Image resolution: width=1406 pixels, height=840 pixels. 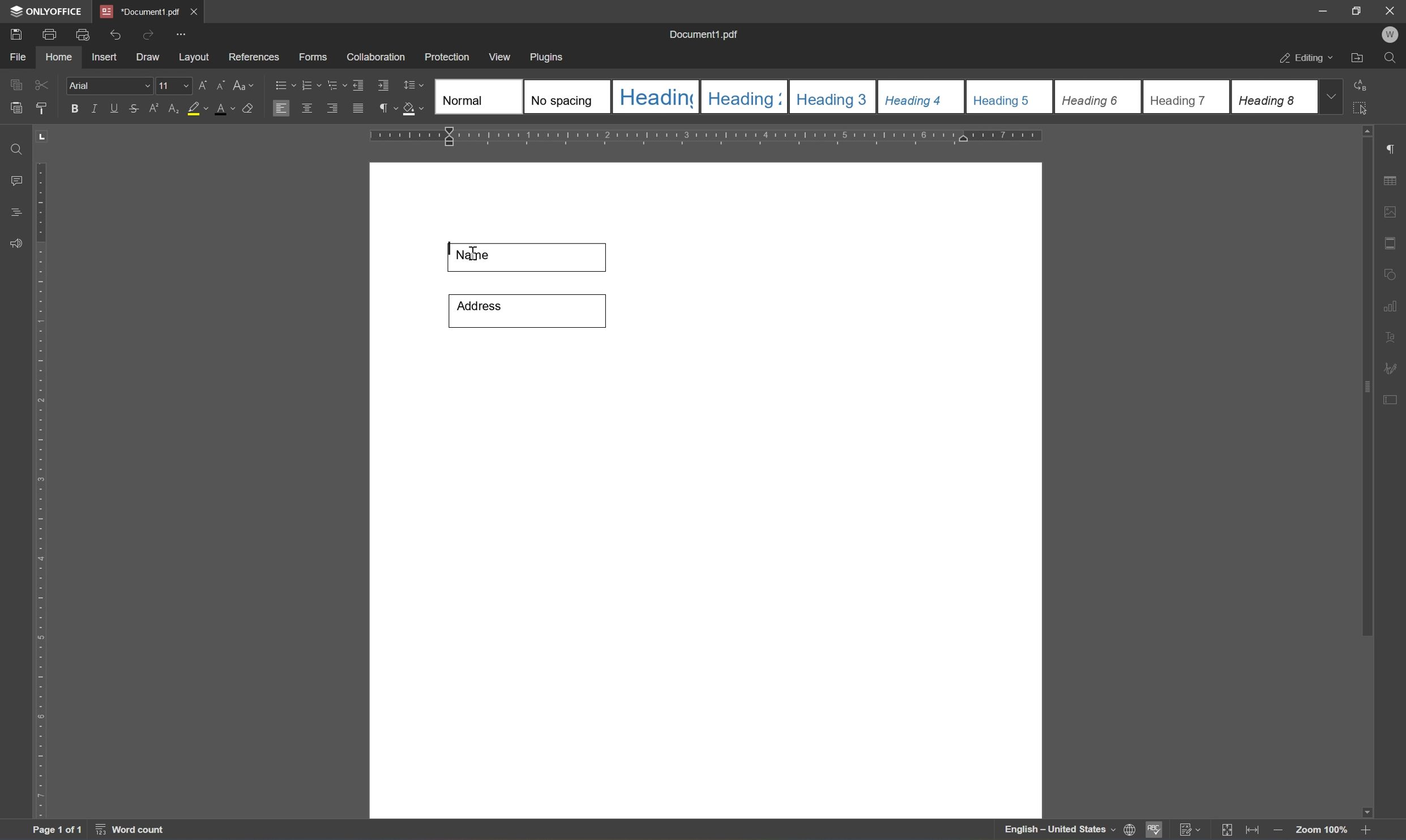 I want to click on undo, so click(x=114, y=33).